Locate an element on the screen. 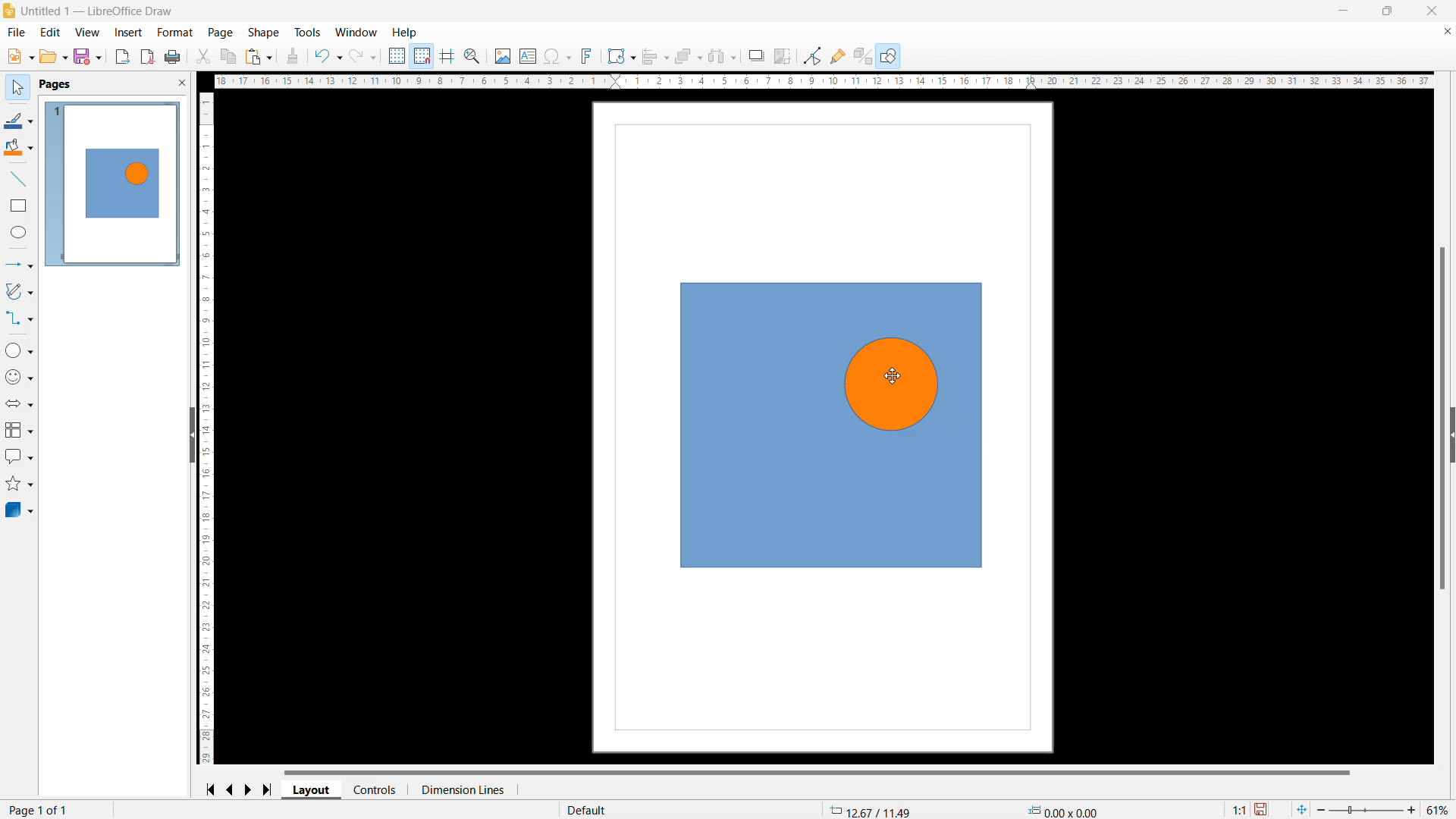 The width and height of the screenshot is (1456, 819). lines and arrows is located at coordinates (19, 265).